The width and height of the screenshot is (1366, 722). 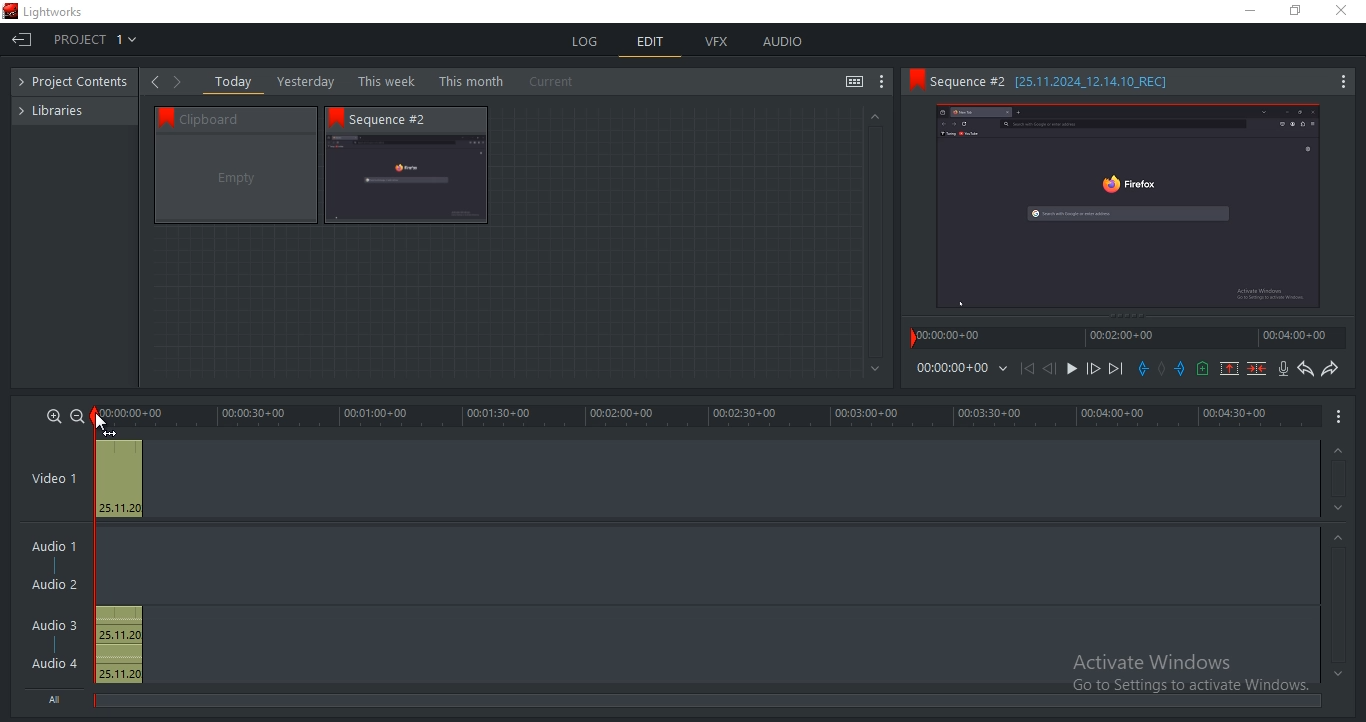 What do you see at coordinates (1203, 369) in the screenshot?
I see `add cue` at bounding box center [1203, 369].